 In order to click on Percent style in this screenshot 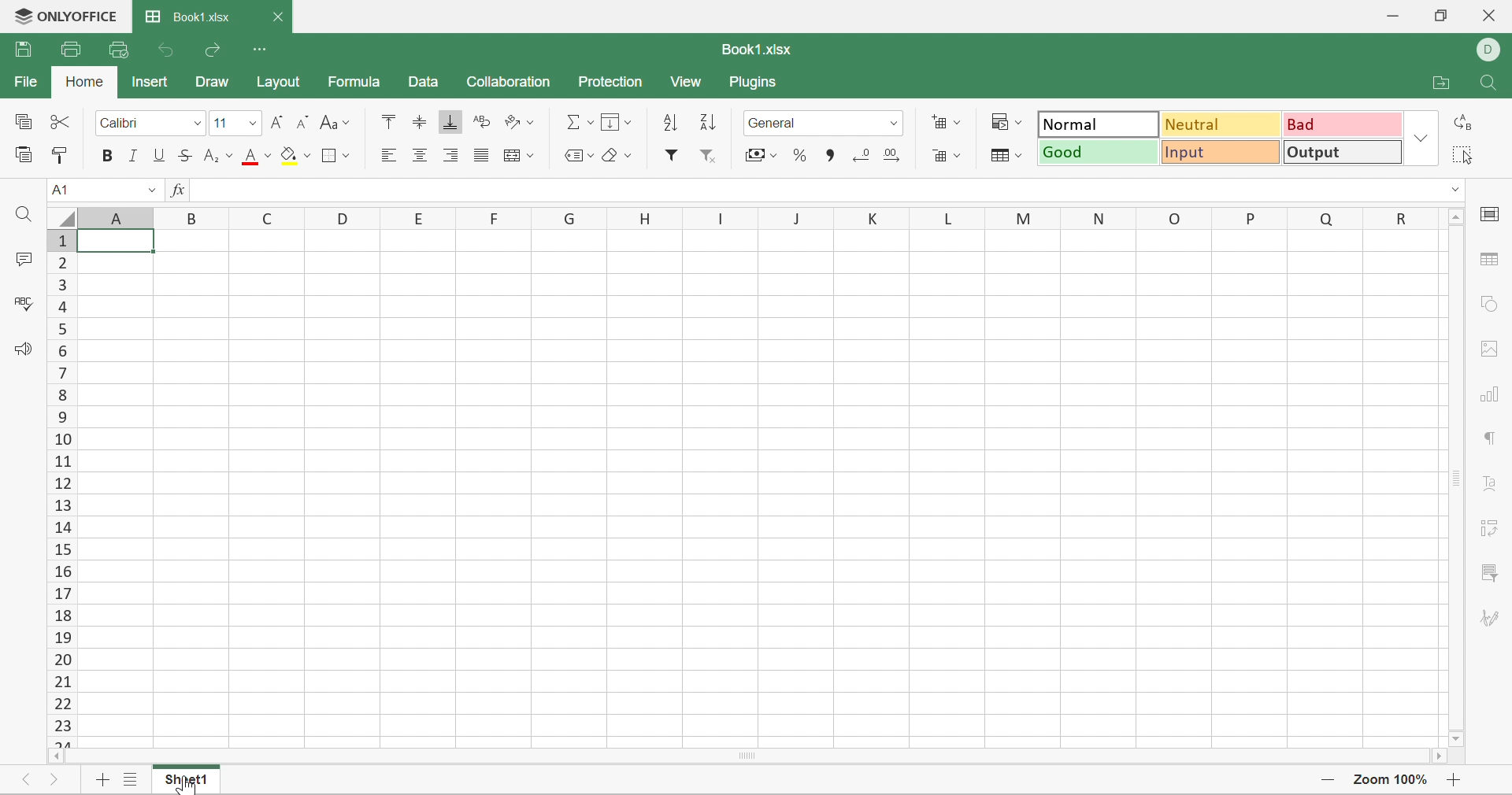, I will do `click(801, 157)`.